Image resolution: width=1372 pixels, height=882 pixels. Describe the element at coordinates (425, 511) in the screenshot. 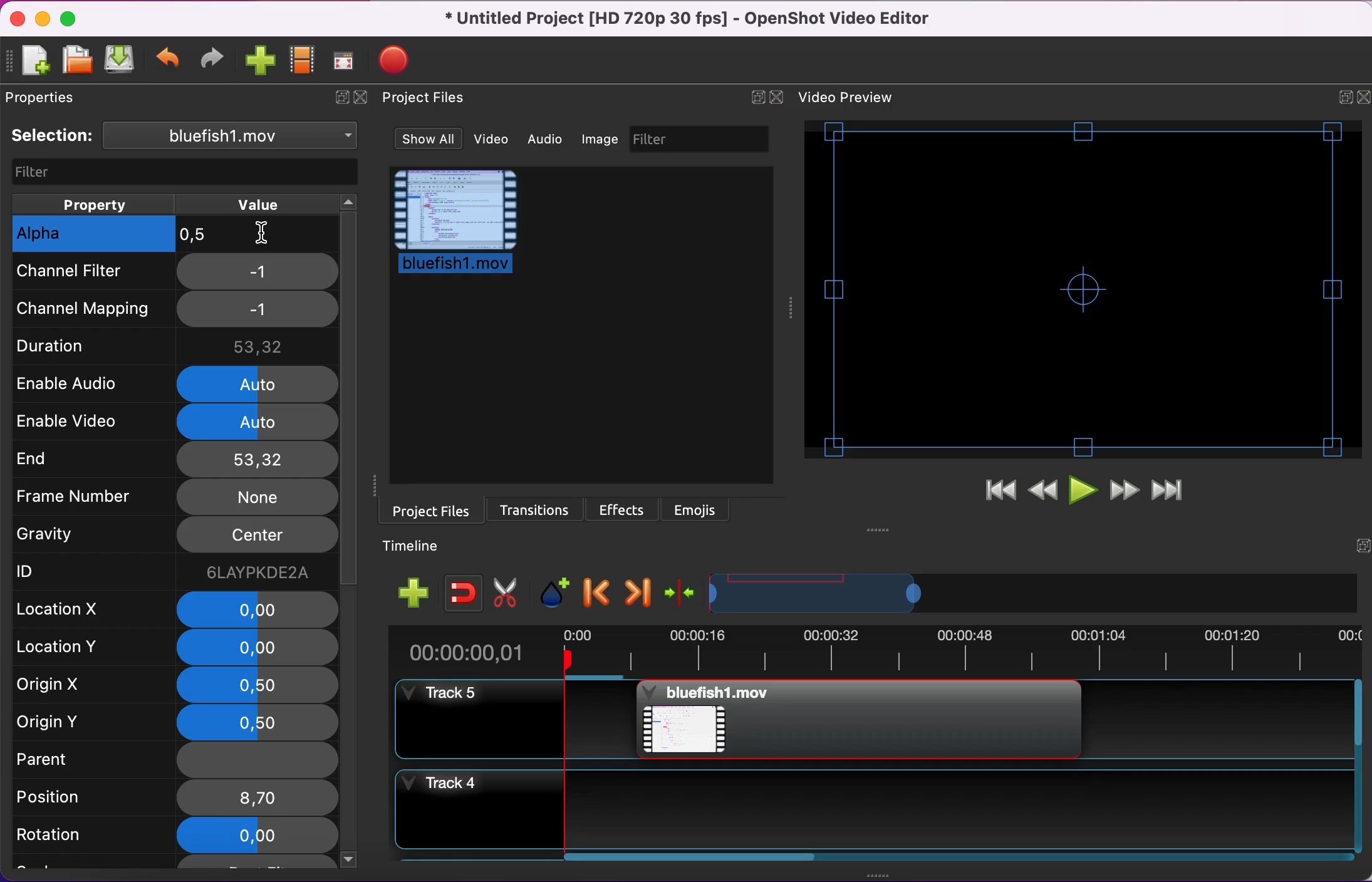

I see `project files` at that location.